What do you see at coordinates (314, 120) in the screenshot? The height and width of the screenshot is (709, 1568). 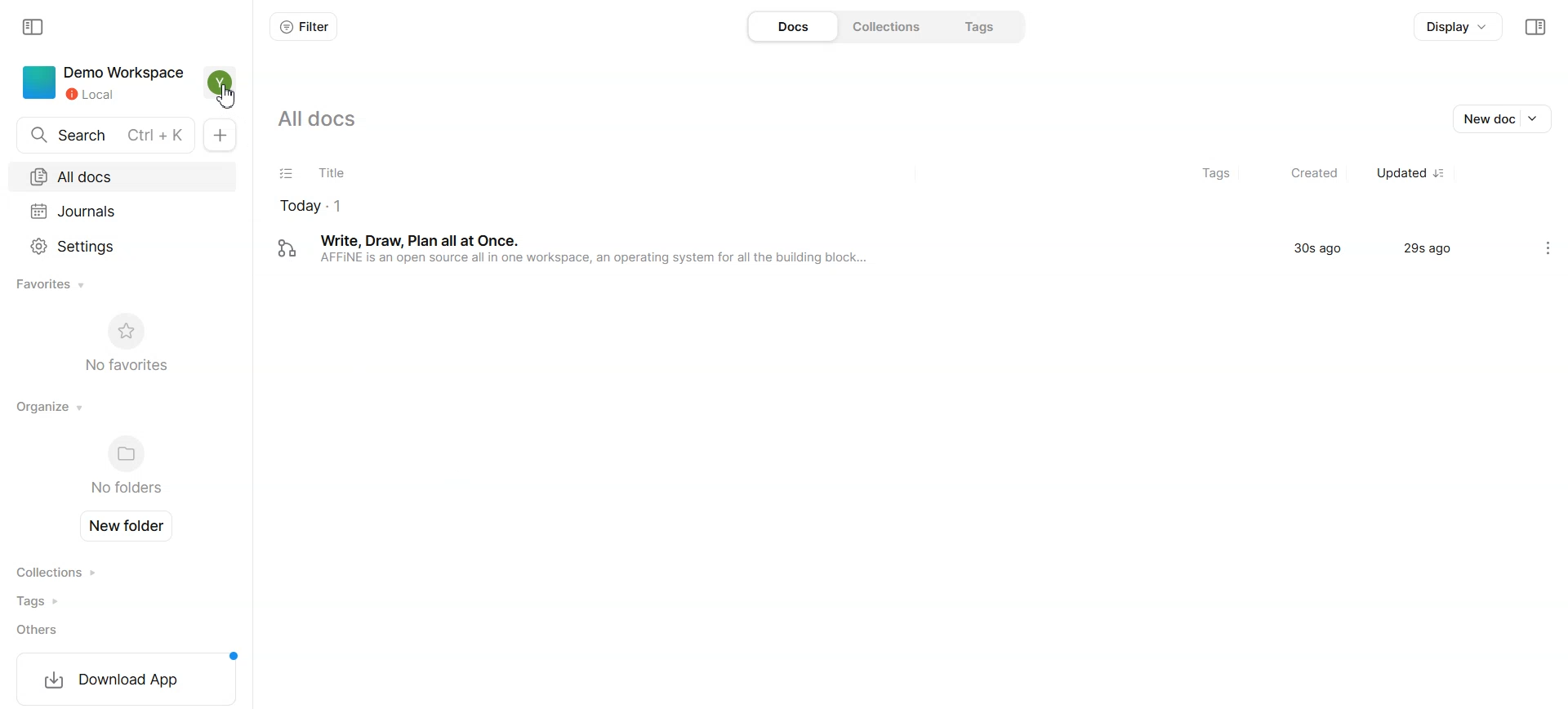 I see `all docs` at bounding box center [314, 120].